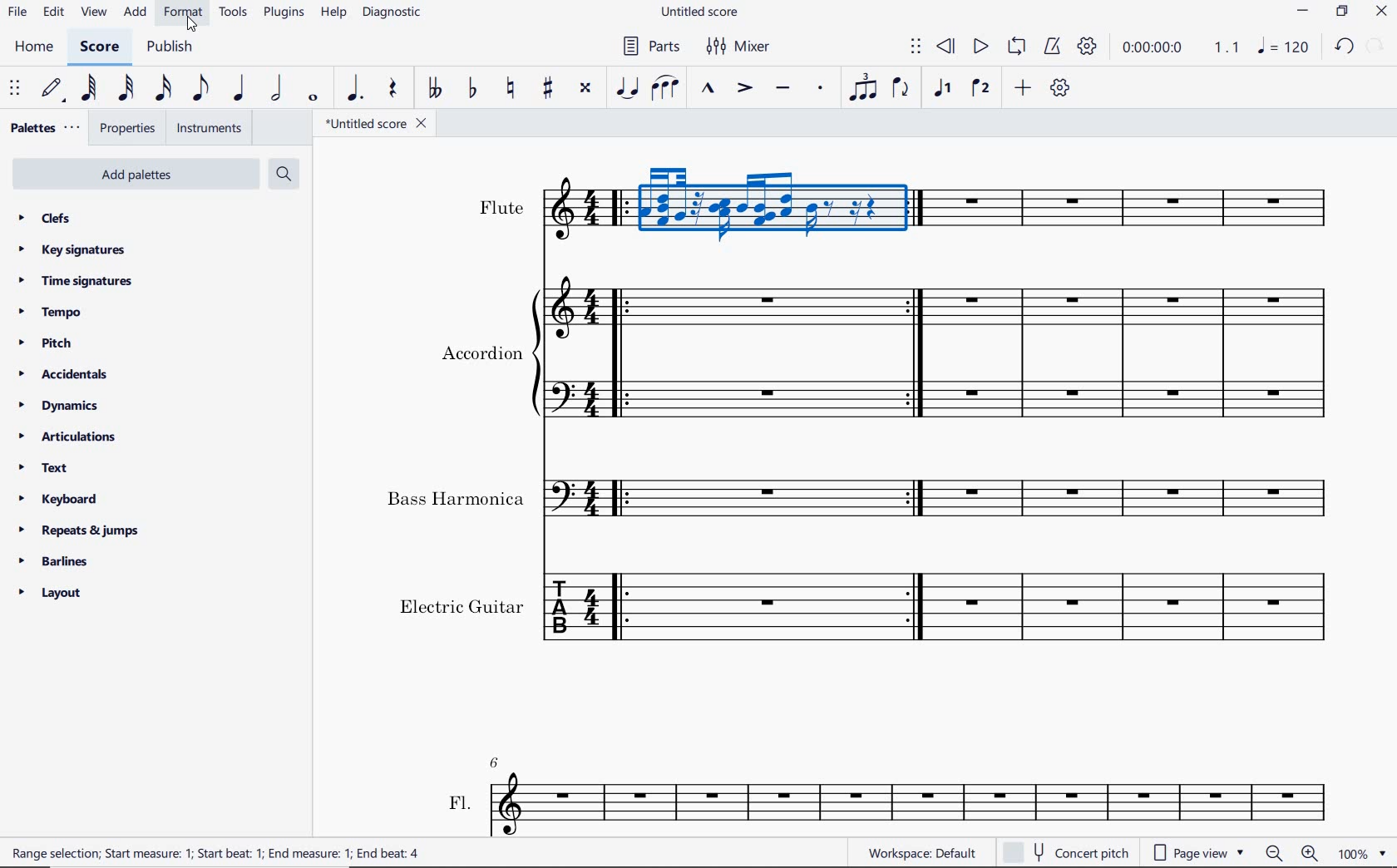 The image size is (1397, 868). I want to click on playback time, so click(1152, 48).